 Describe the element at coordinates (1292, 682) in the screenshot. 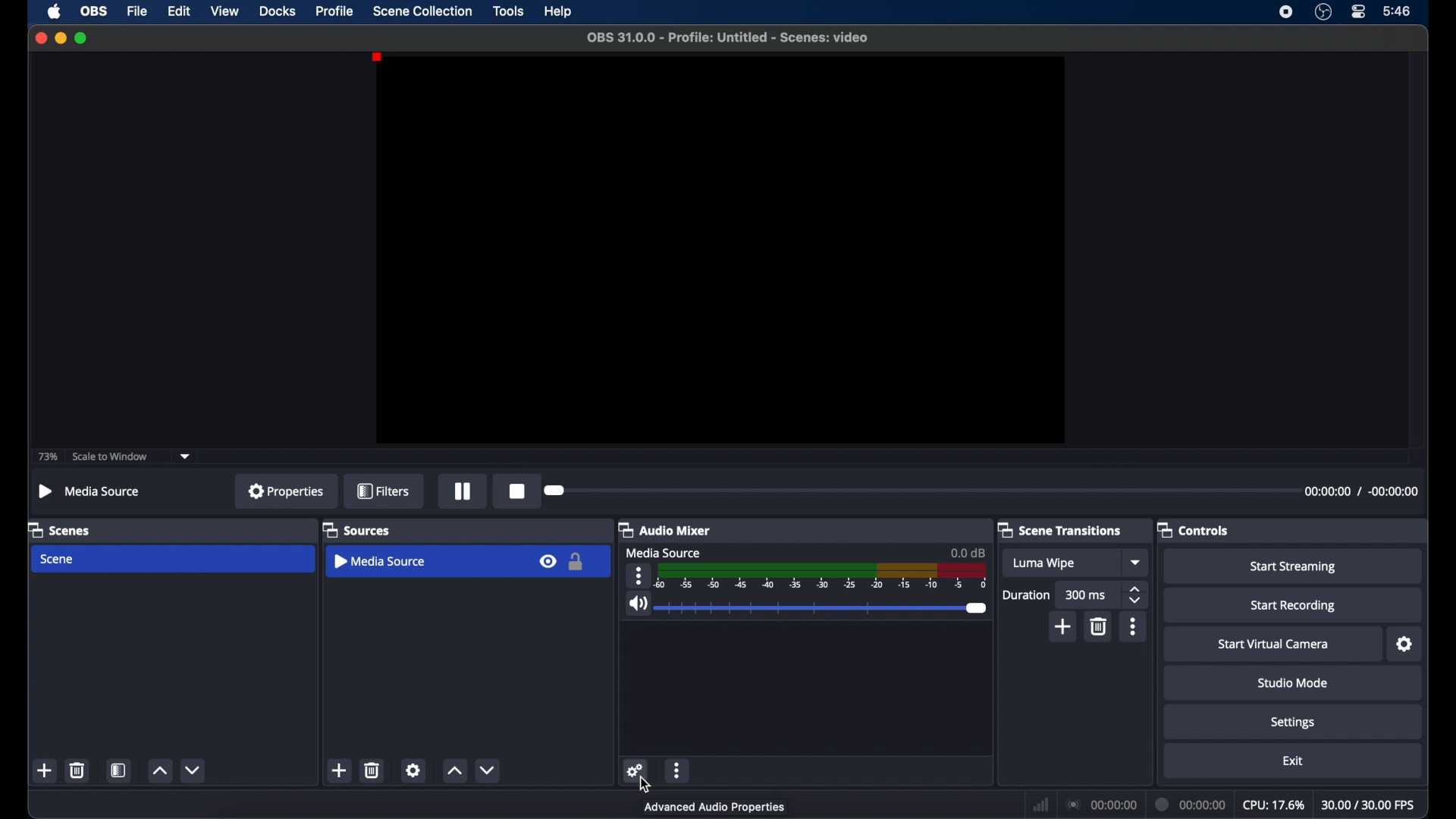

I see `studio mode` at that location.